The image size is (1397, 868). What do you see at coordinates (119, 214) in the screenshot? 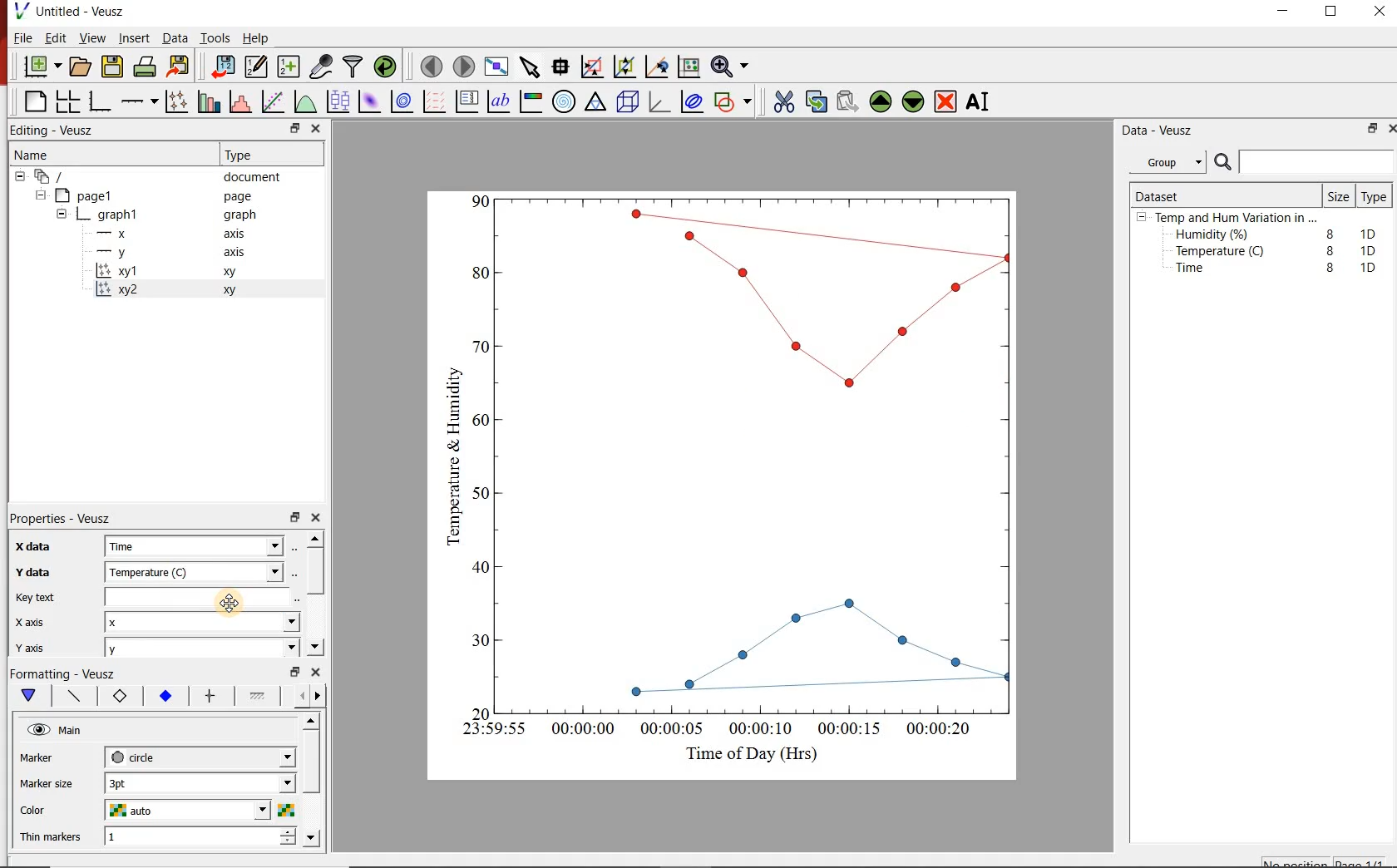
I see `graph` at bounding box center [119, 214].